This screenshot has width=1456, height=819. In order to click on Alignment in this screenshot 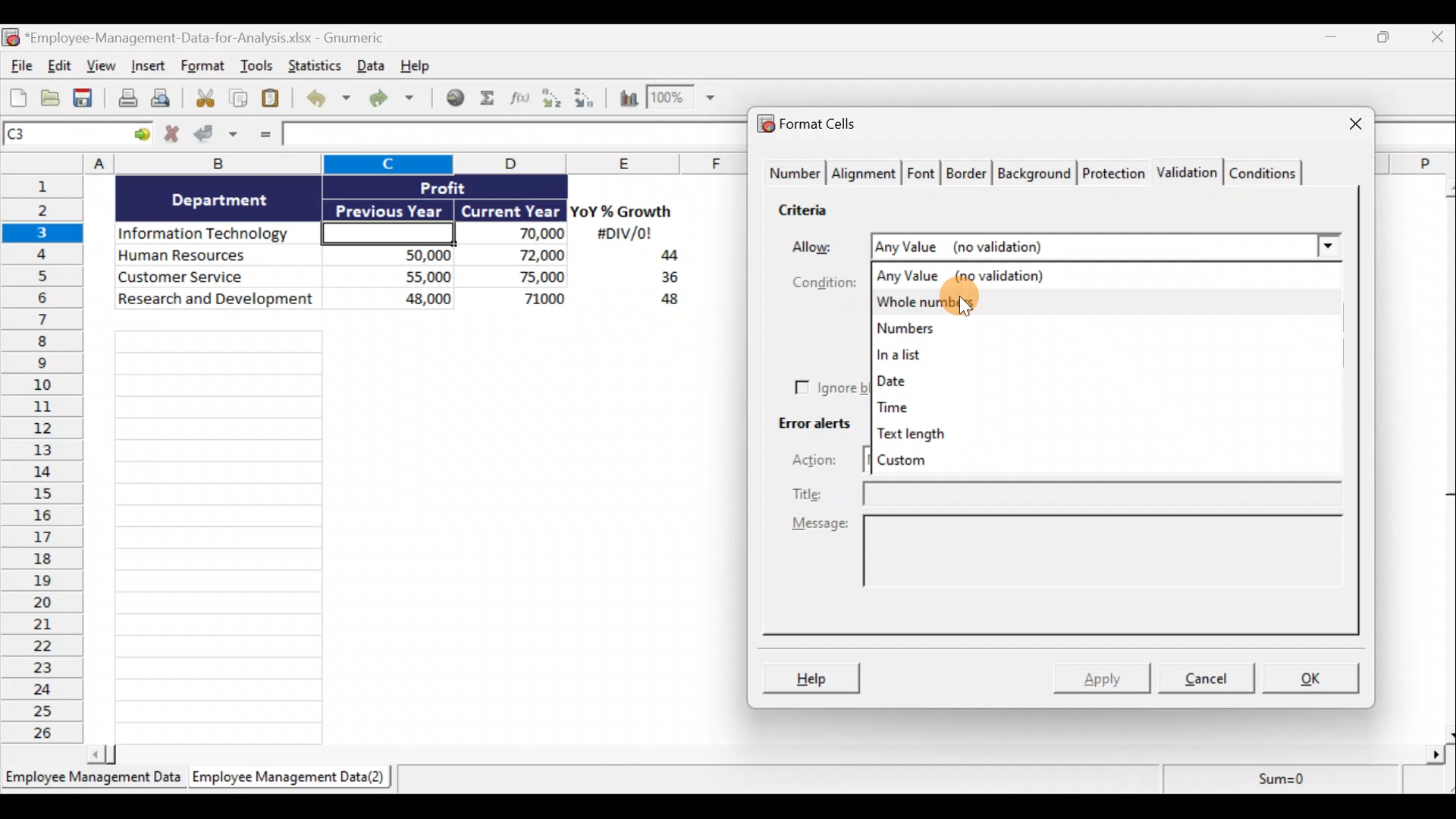, I will do `click(865, 173)`.